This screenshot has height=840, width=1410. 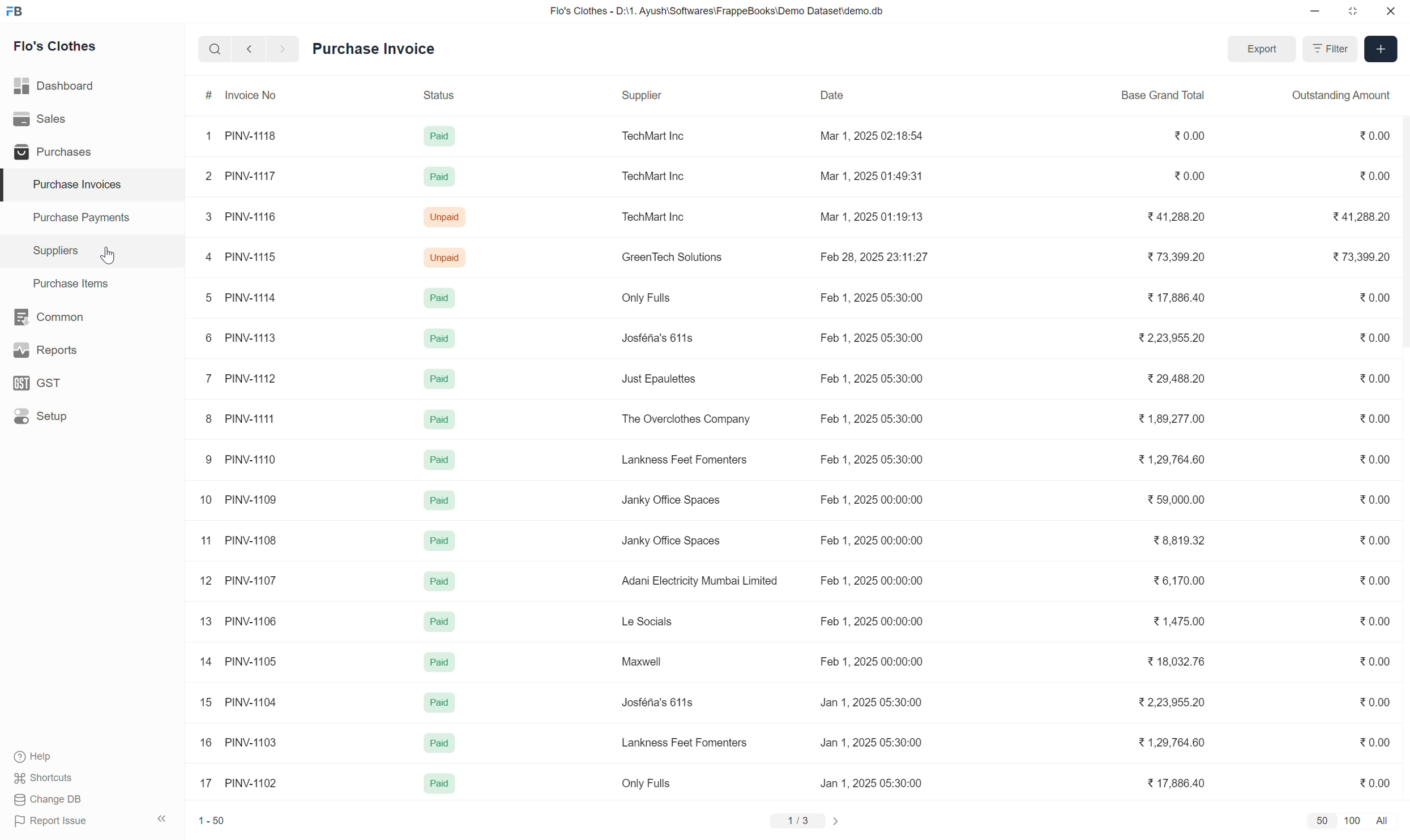 I want to click on % 17,886.40, so click(x=1174, y=299).